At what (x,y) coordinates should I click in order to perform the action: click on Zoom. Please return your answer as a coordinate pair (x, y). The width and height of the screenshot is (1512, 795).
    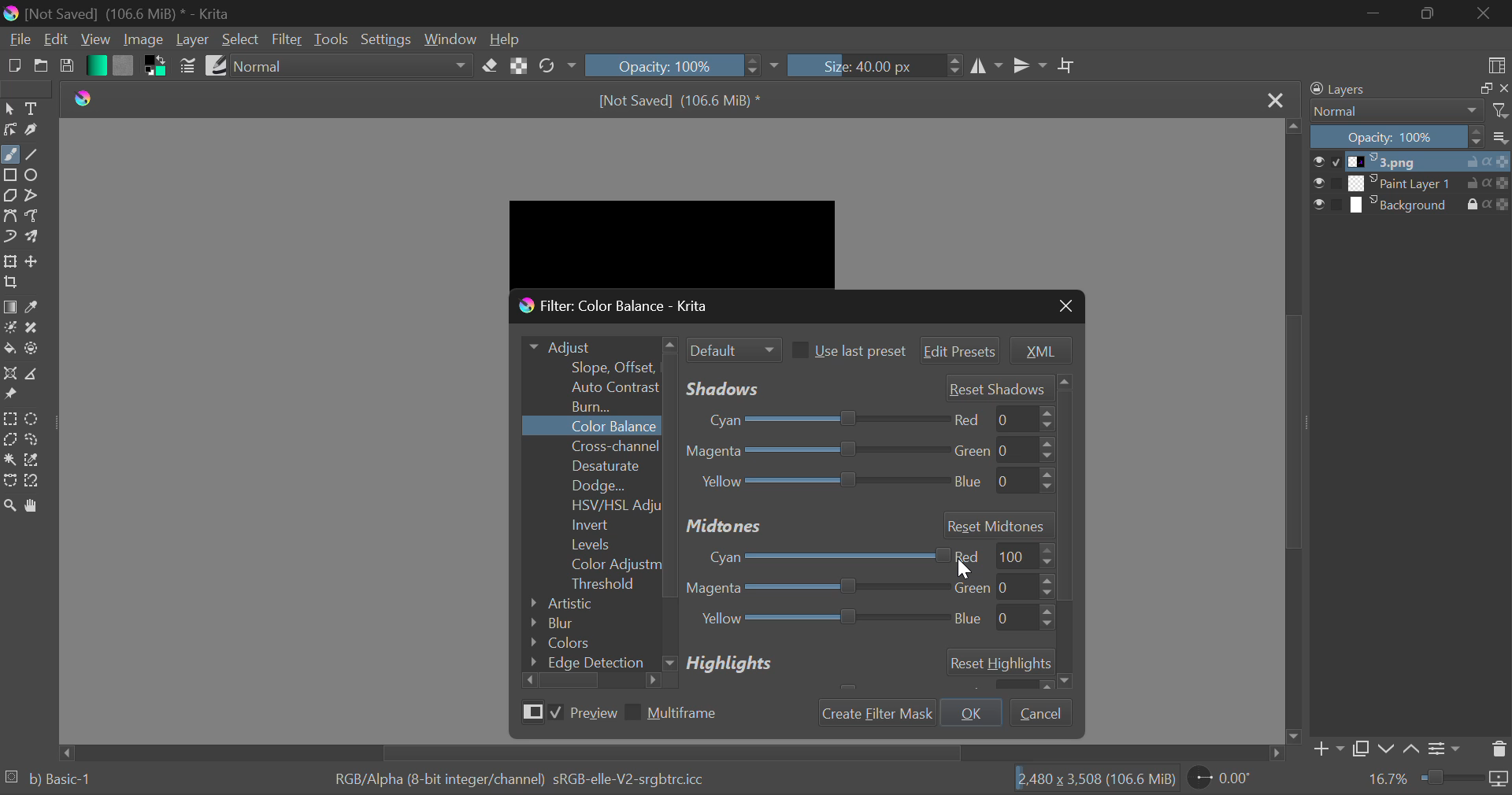
    Looking at the image, I should click on (10, 505).